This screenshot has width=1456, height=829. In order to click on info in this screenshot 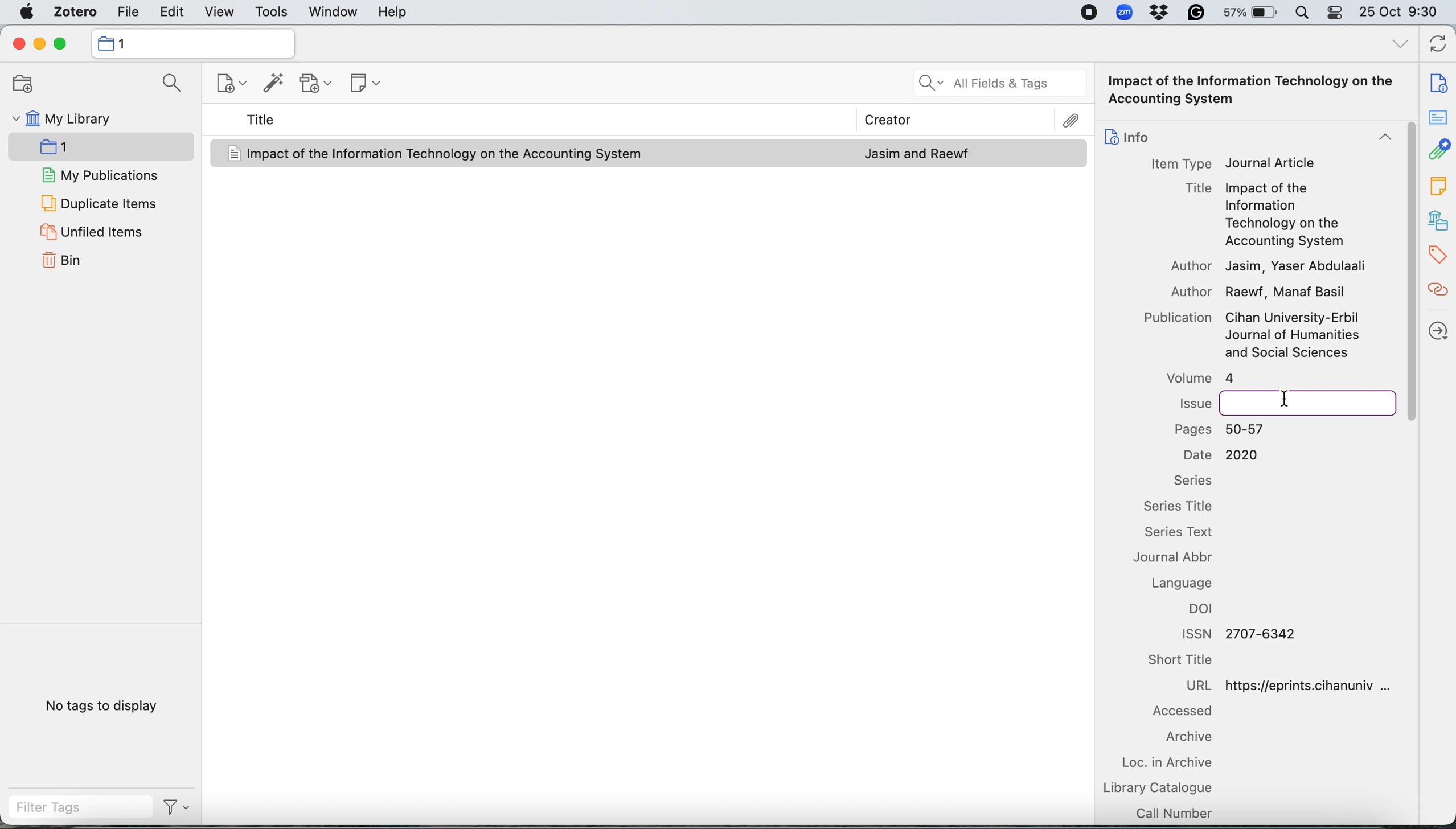, I will do `click(1433, 79)`.